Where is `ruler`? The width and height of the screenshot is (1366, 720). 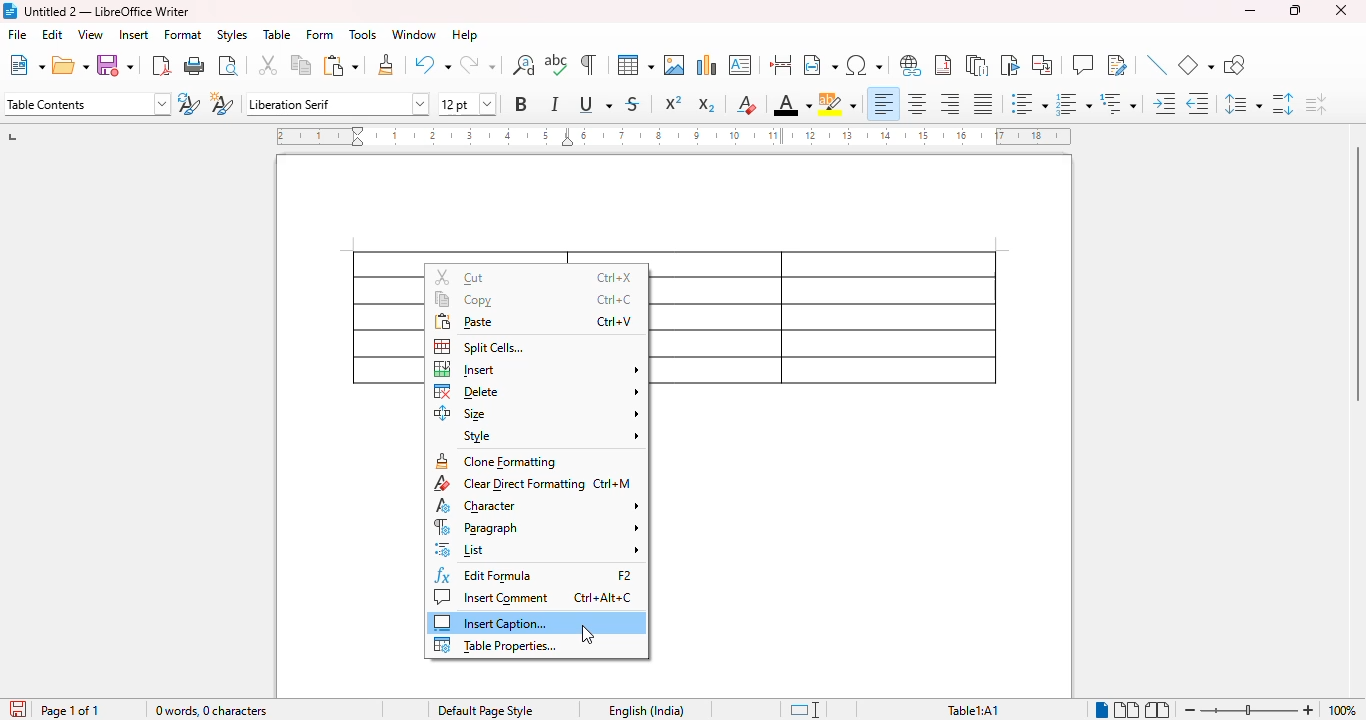
ruler is located at coordinates (673, 136).